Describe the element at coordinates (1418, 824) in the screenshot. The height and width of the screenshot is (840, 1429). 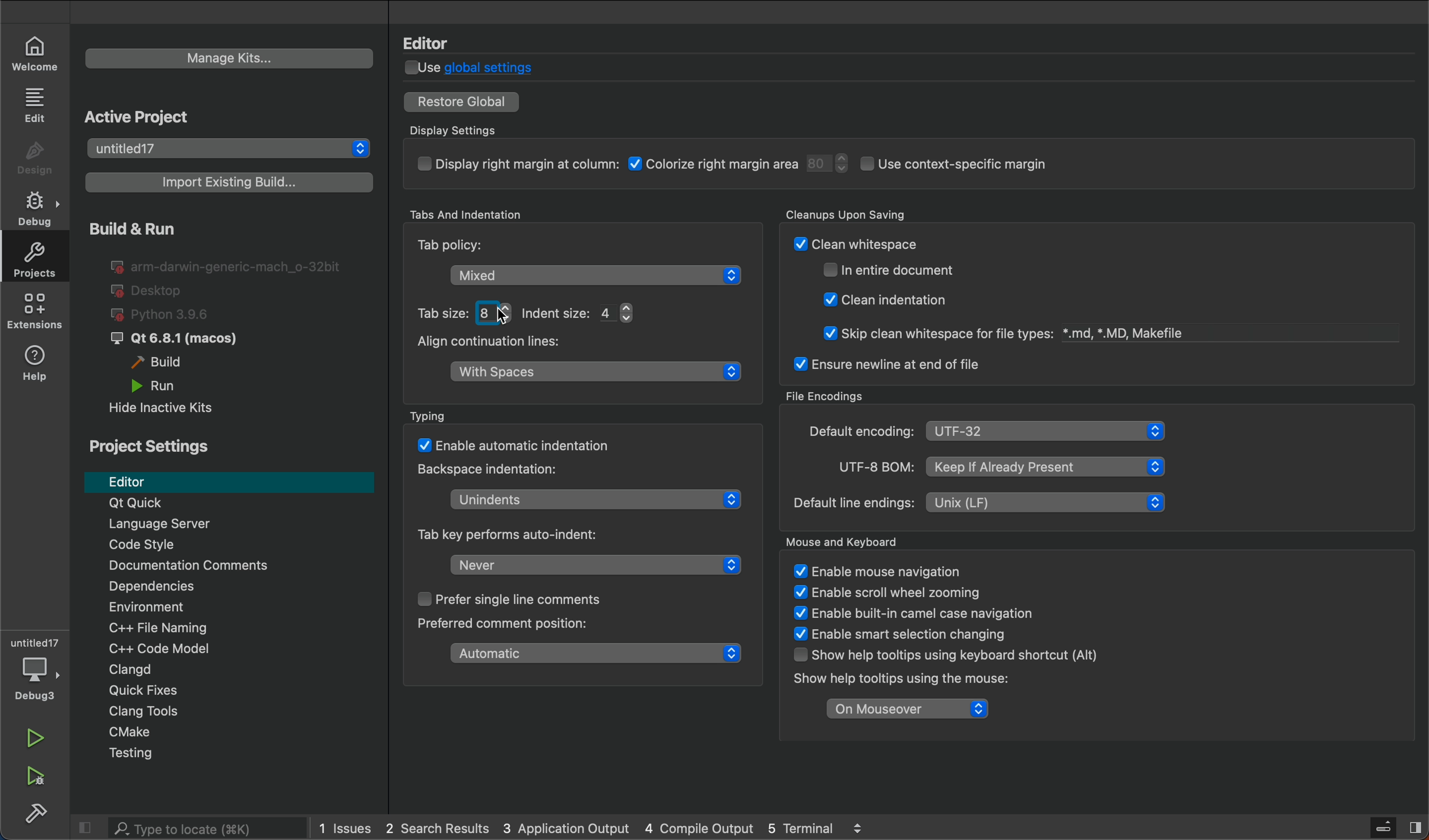
I see `Split button` at that location.